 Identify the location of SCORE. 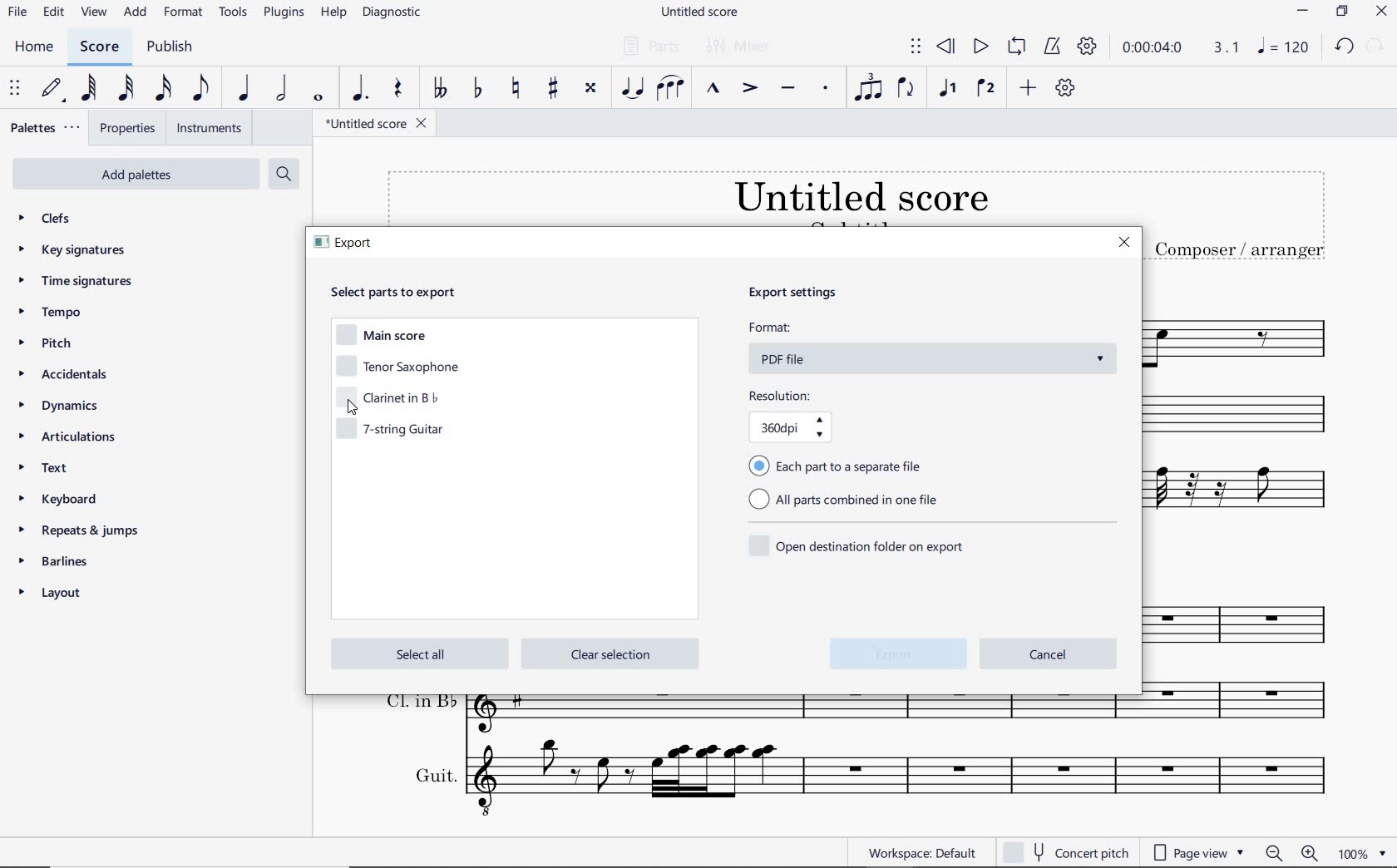
(99, 47).